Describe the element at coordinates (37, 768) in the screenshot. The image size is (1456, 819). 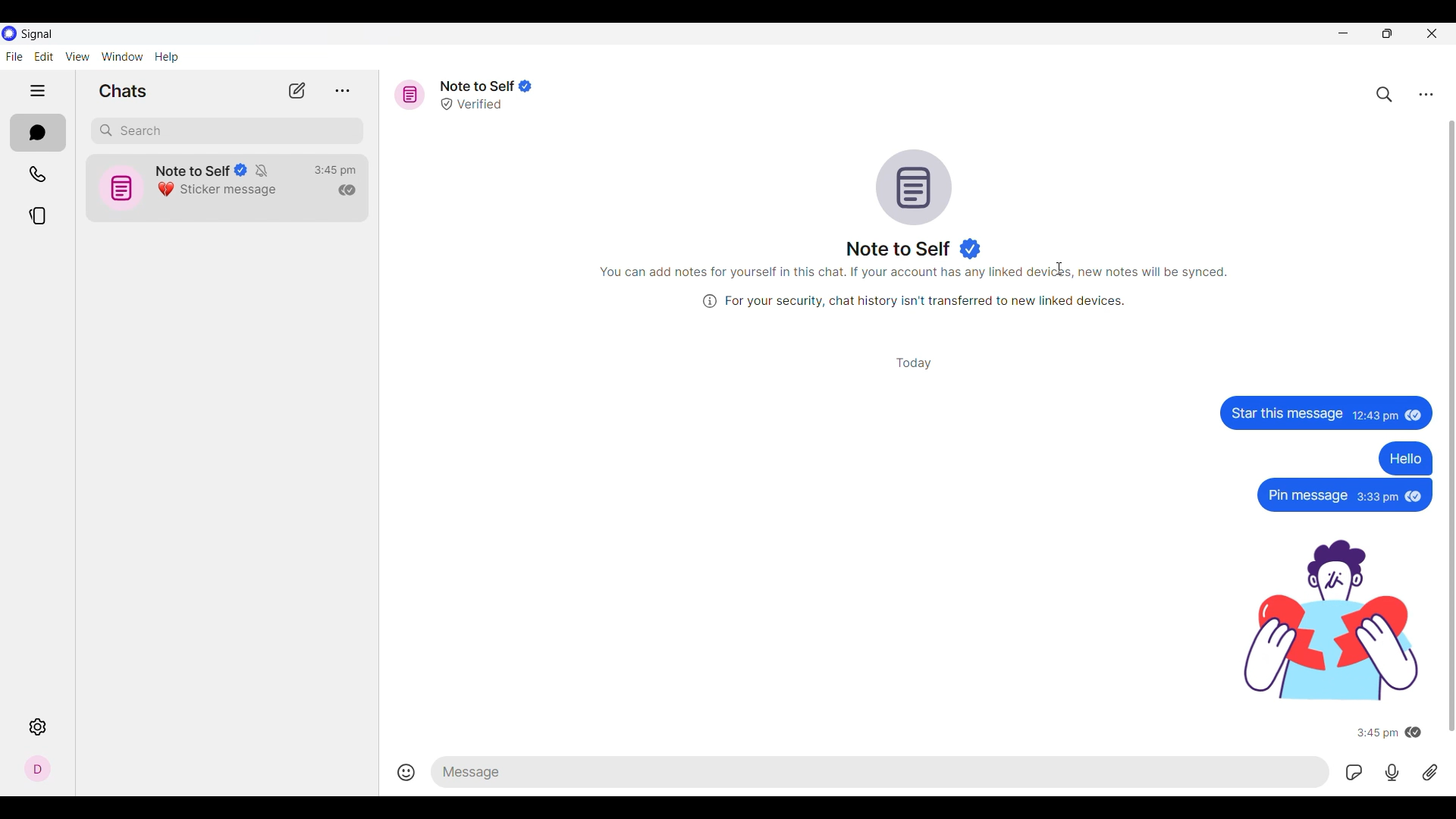
I see `Profile` at that location.